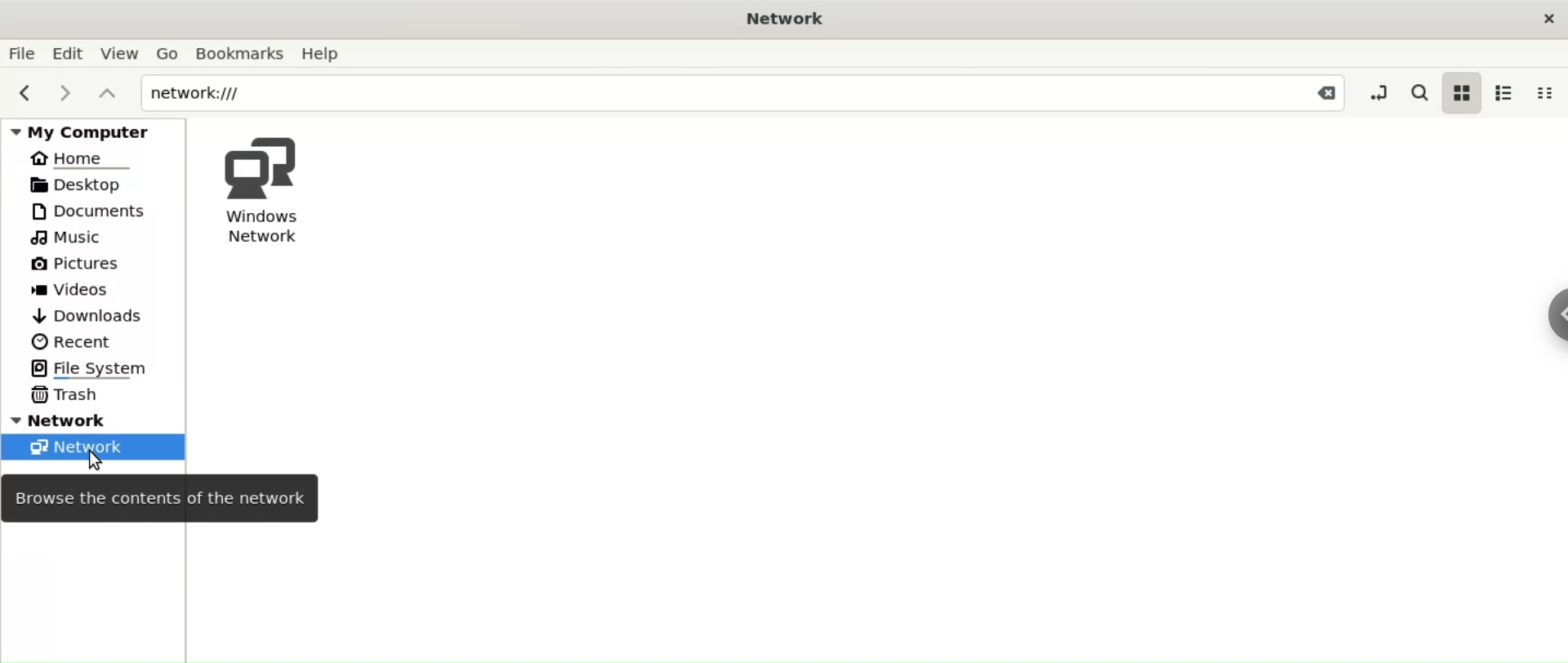 The image size is (1568, 663). I want to click on previous, so click(23, 93).